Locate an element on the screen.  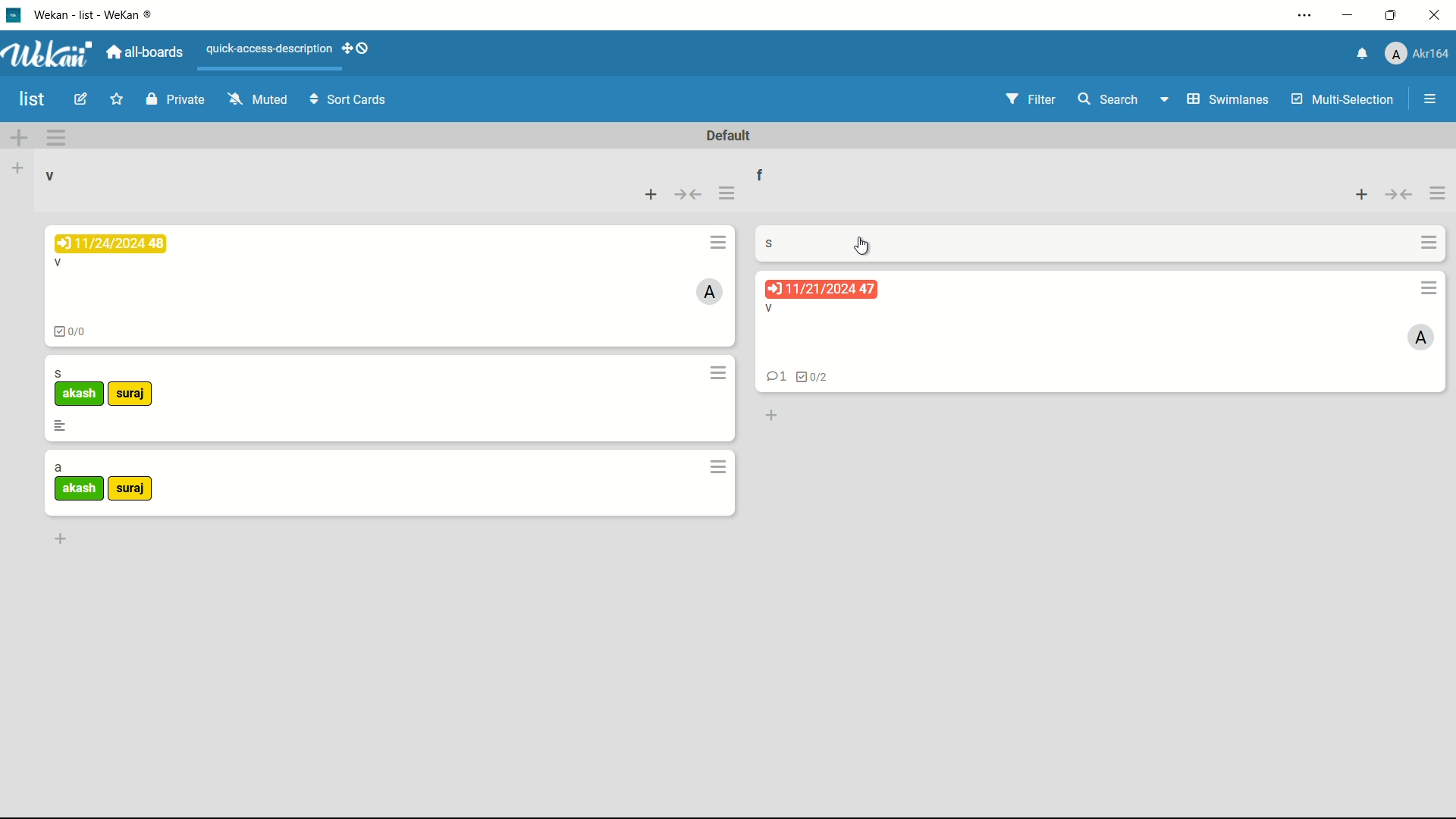
muted is located at coordinates (260, 98).